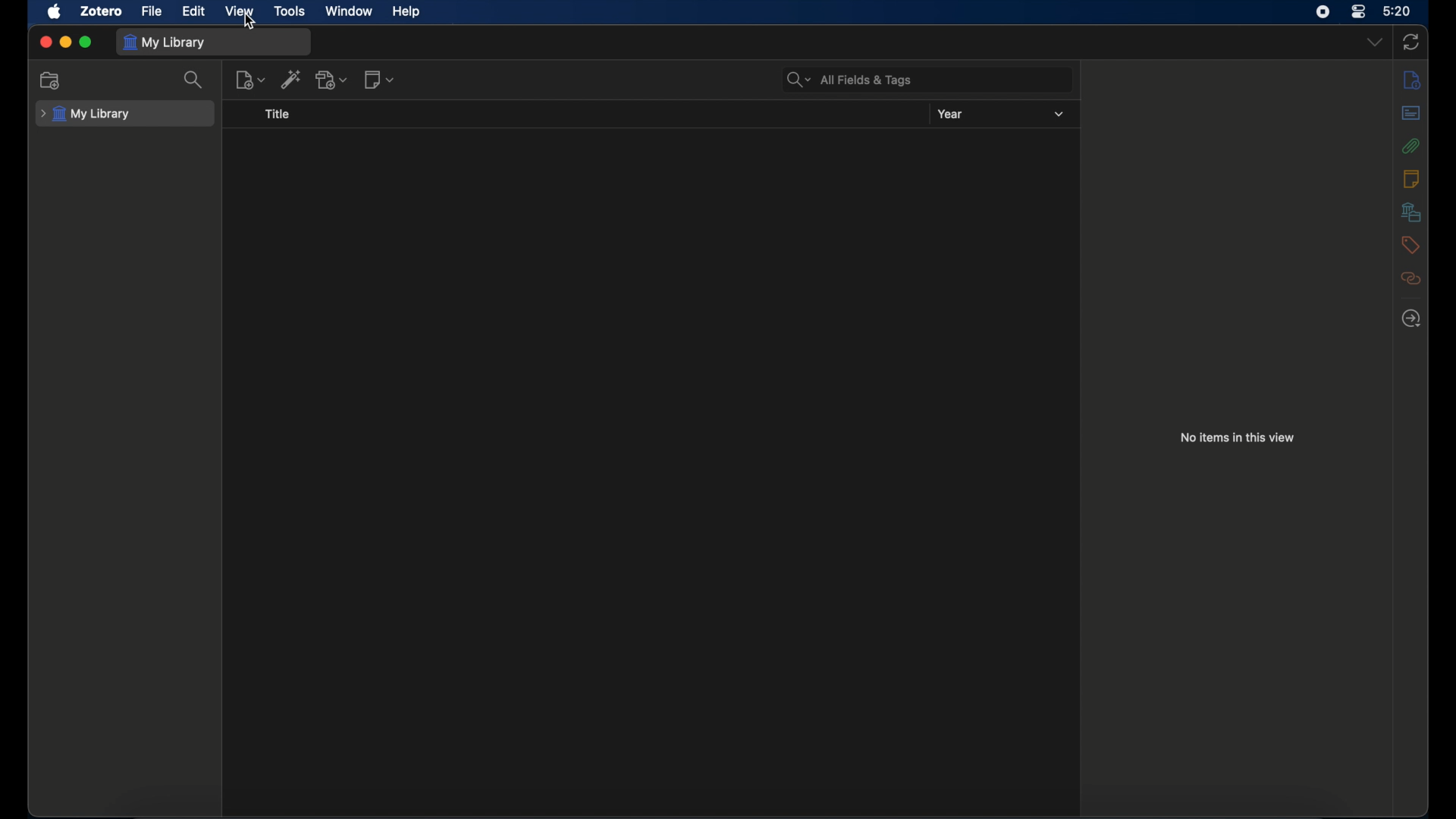 The image size is (1456, 819). What do you see at coordinates (1323, 11) in the screenshot?
I see `screen recorder` at bounding box center [1323, 11].